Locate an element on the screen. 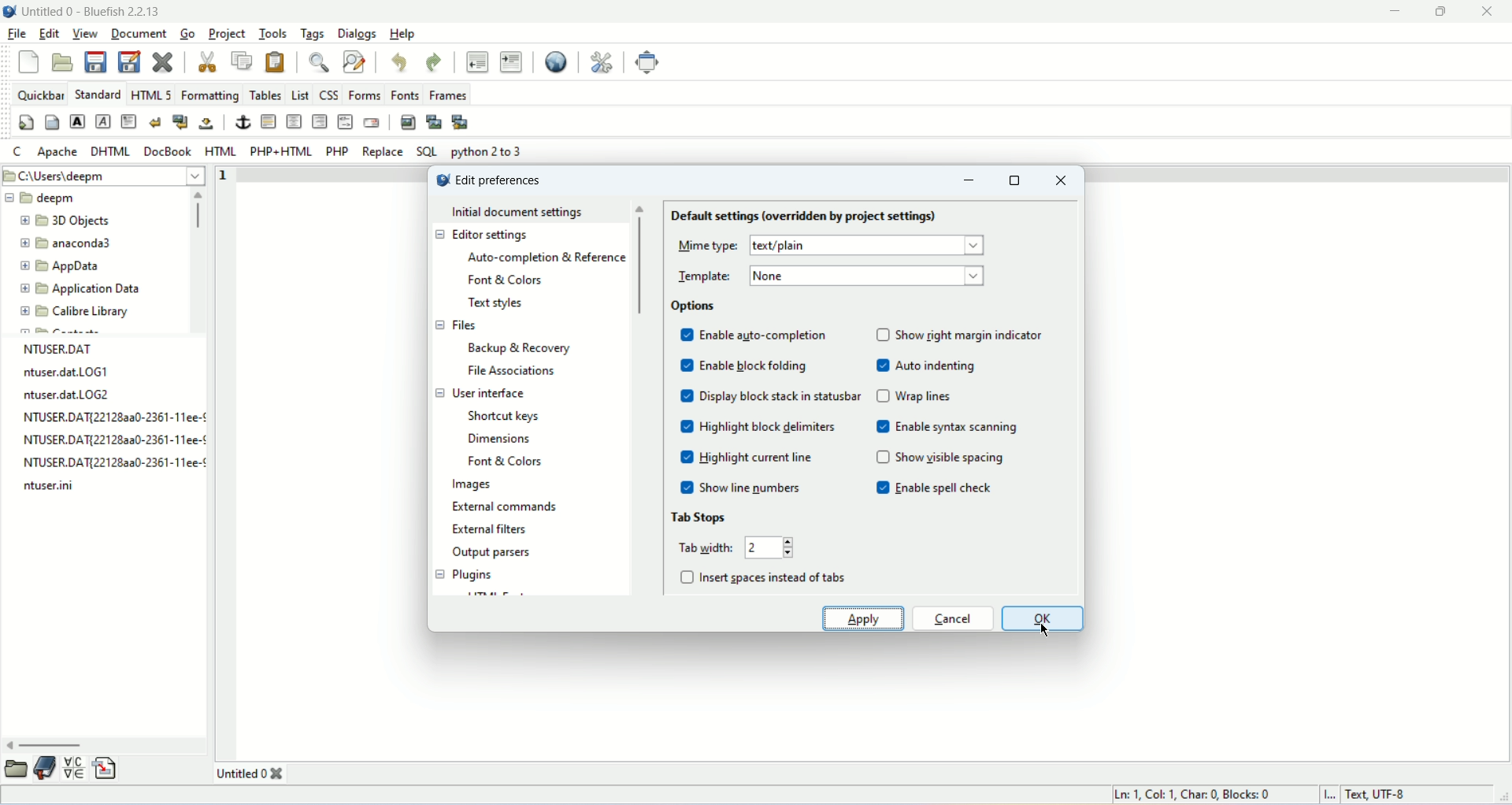  tools is located at coordinates (273, 33).